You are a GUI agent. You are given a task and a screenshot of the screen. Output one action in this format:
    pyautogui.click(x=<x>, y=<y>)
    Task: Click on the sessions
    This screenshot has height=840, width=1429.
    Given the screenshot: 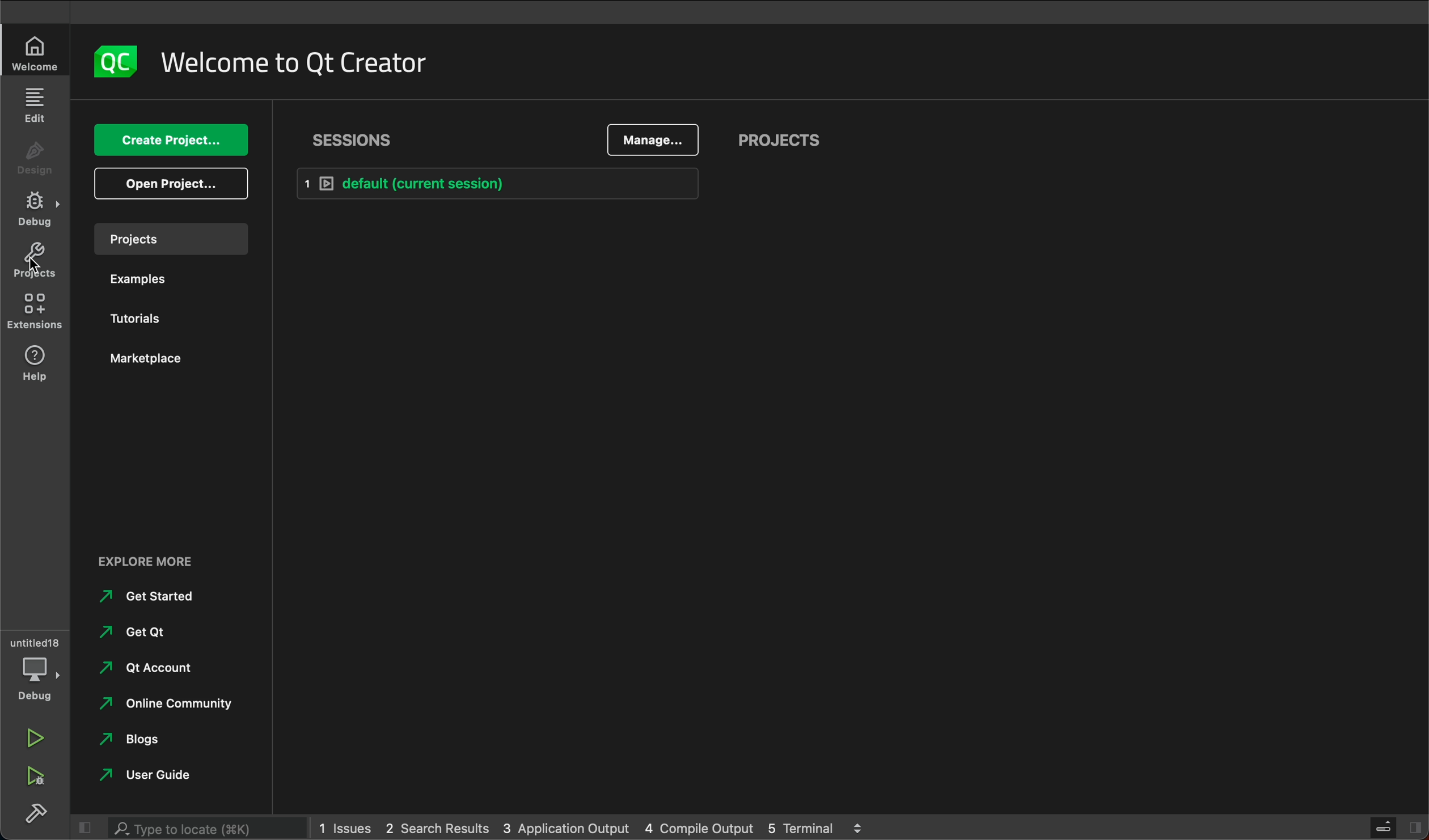 What is the action you would take?
    pyautogui.click(x=369, y=139)
    